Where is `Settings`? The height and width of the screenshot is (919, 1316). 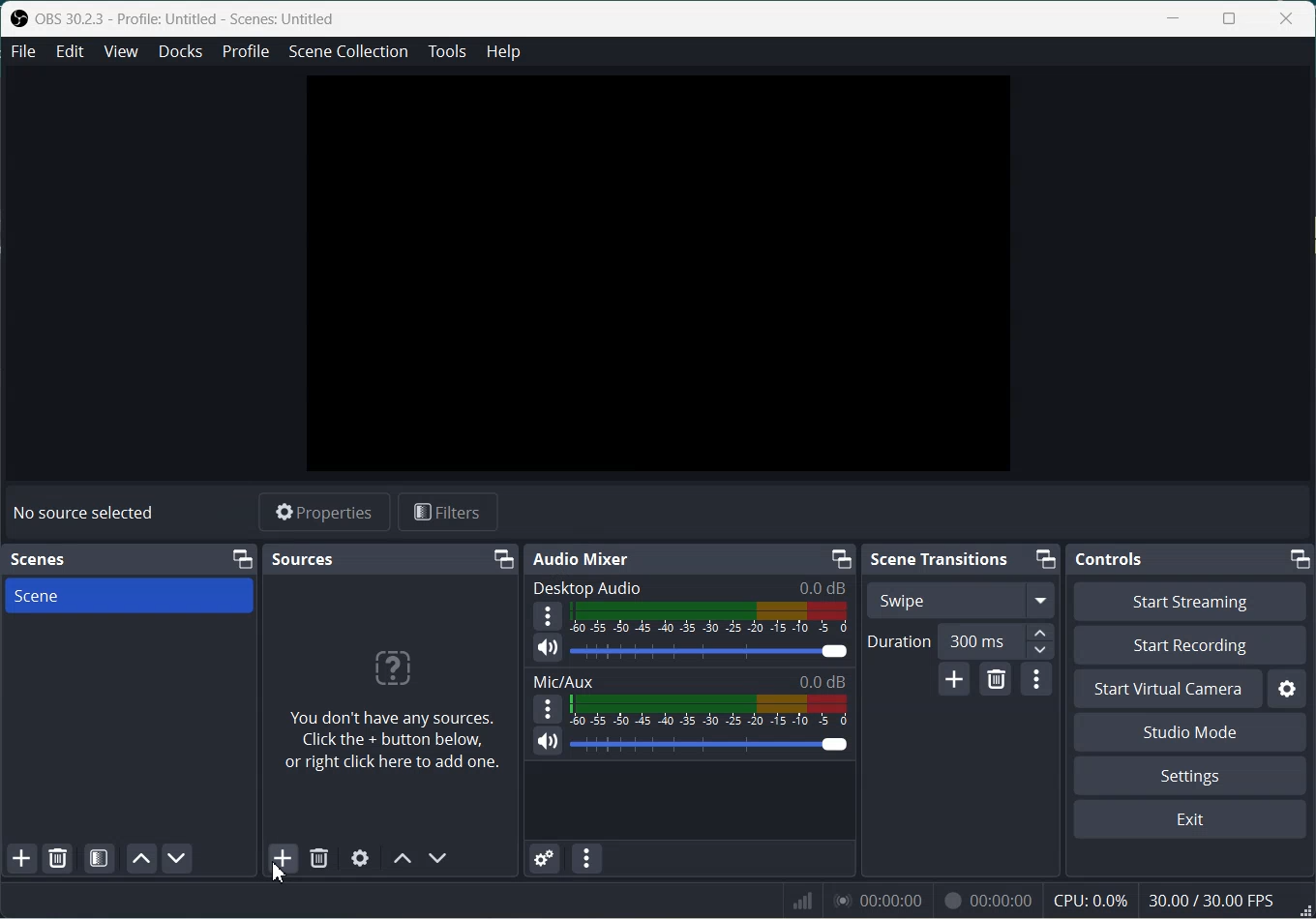 Settings is located at coordinates (1188, 775).